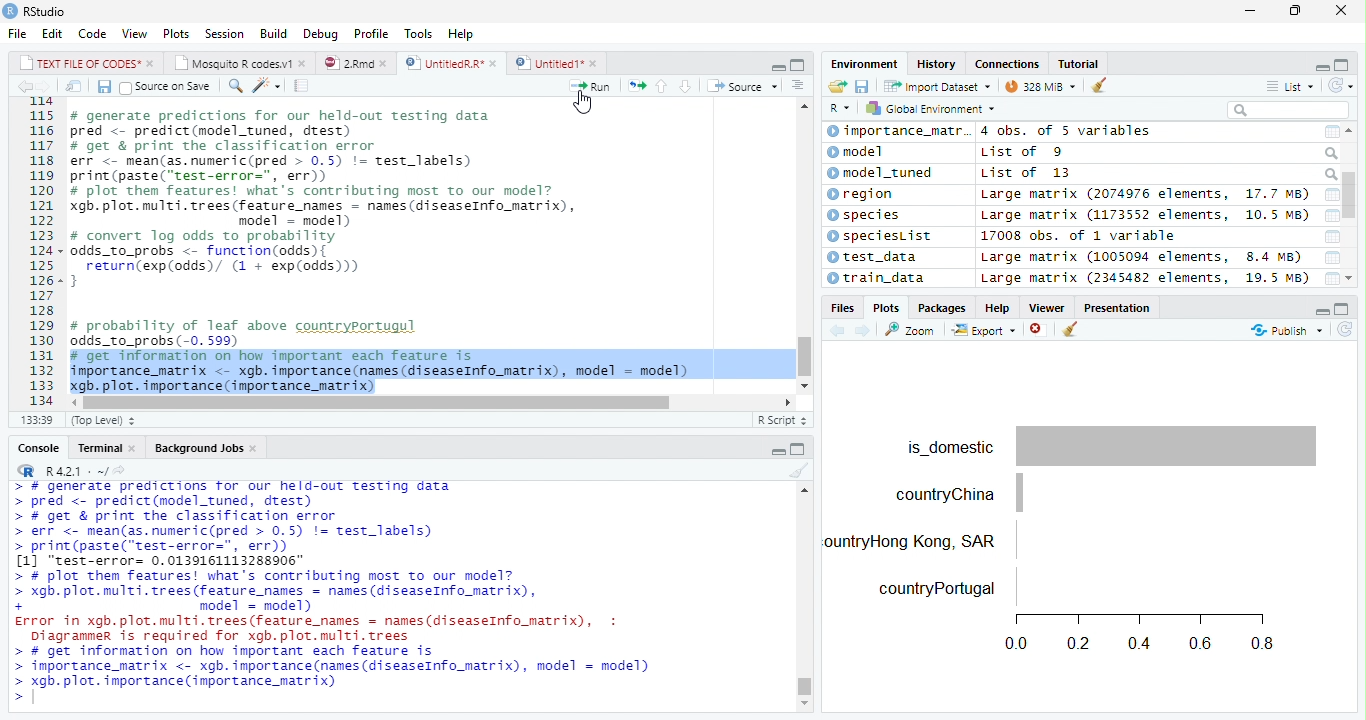  What do you see at coordinates (591, 85) in the screenshot?
I see `Run` at bounding box center [591, 85].